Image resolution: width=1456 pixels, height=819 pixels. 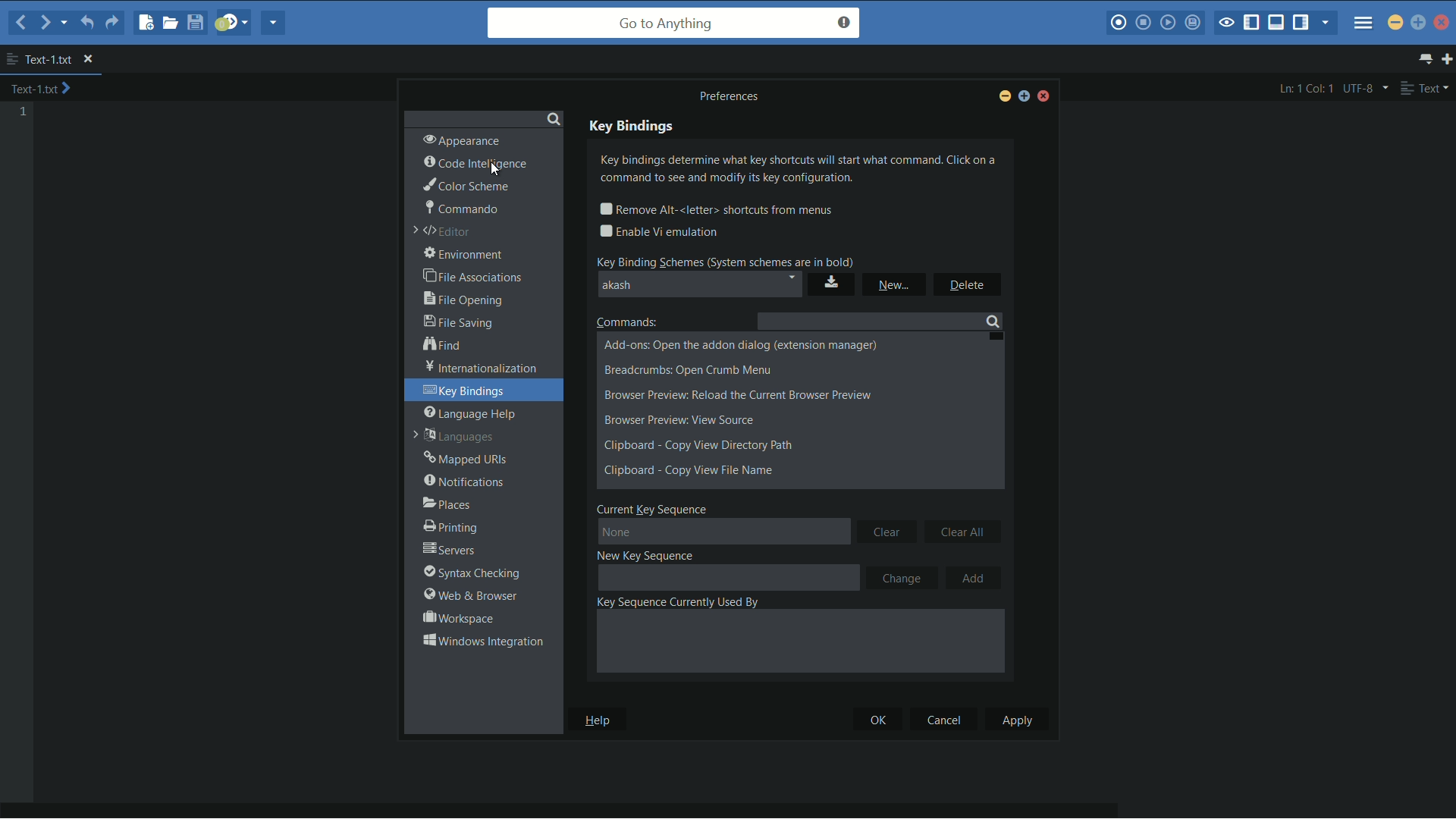 What do you see at coordinates (461, 207) in the screenshot?
I see `commando` at bounding box center [461, 207].